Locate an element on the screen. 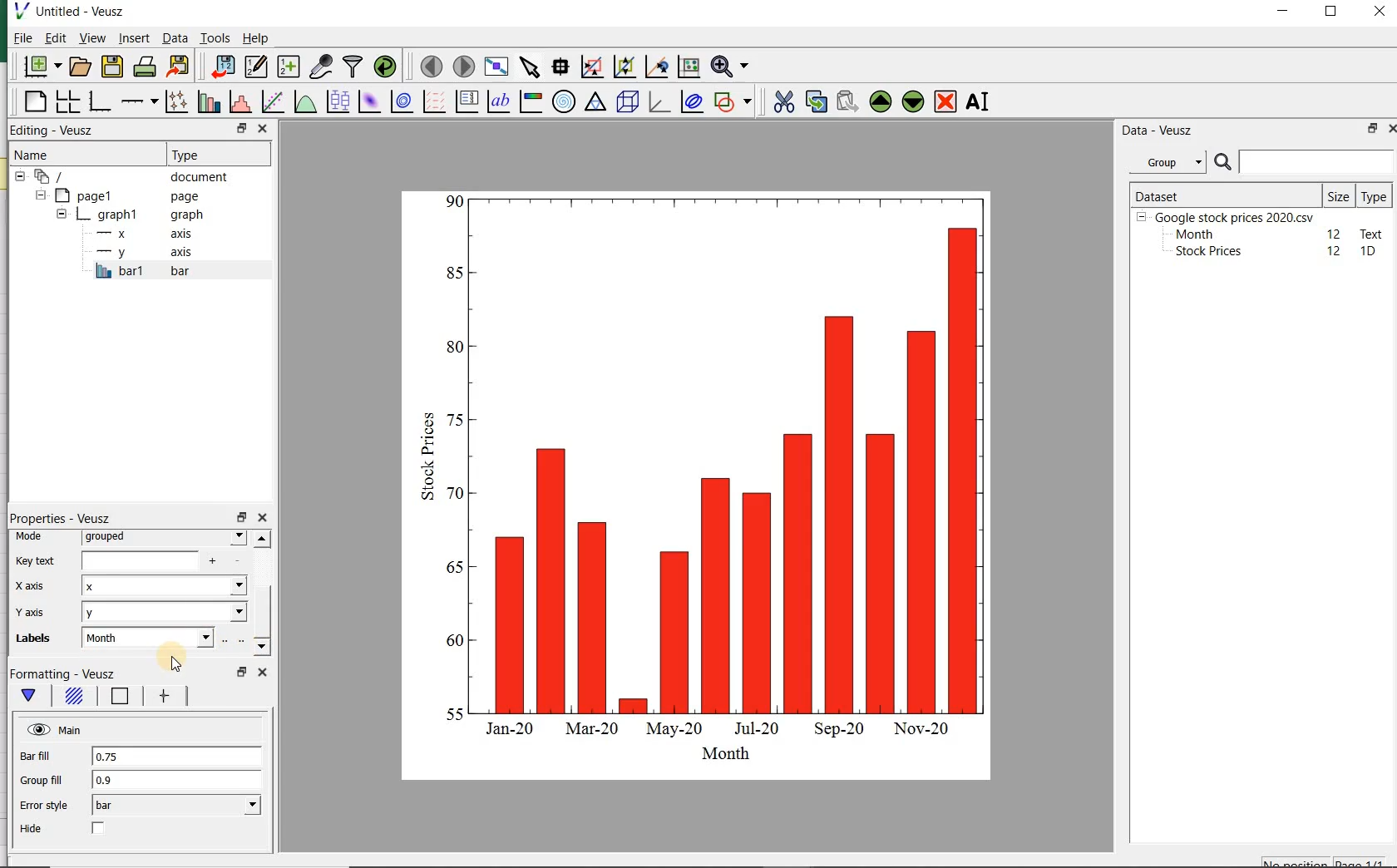 This screenshot has width=1397, height=868. plot points with lines and errorbars is located at coordinates (173, 103).